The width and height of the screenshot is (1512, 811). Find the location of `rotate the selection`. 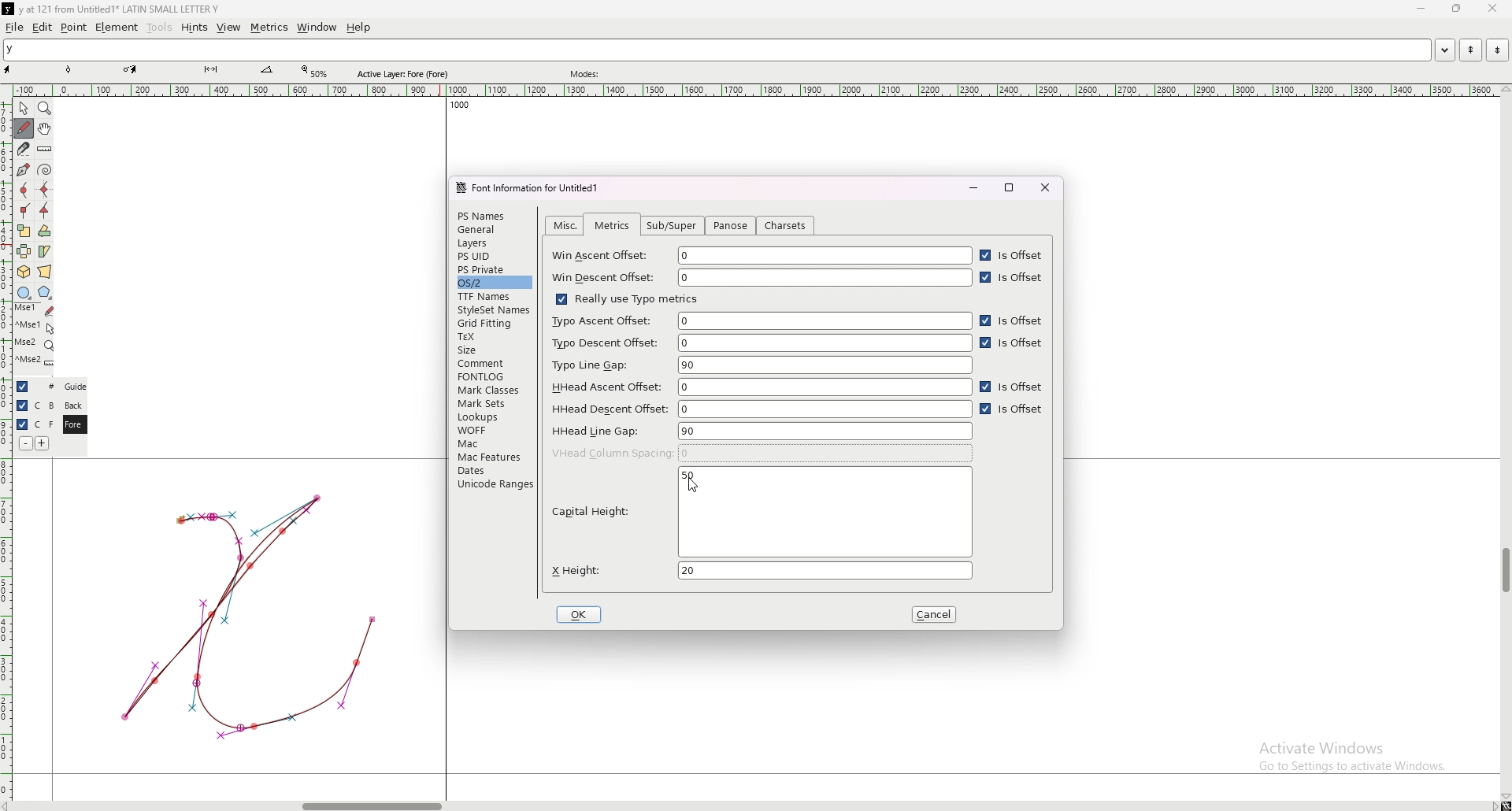

rotate the selection is located at coordinates (45, 231).